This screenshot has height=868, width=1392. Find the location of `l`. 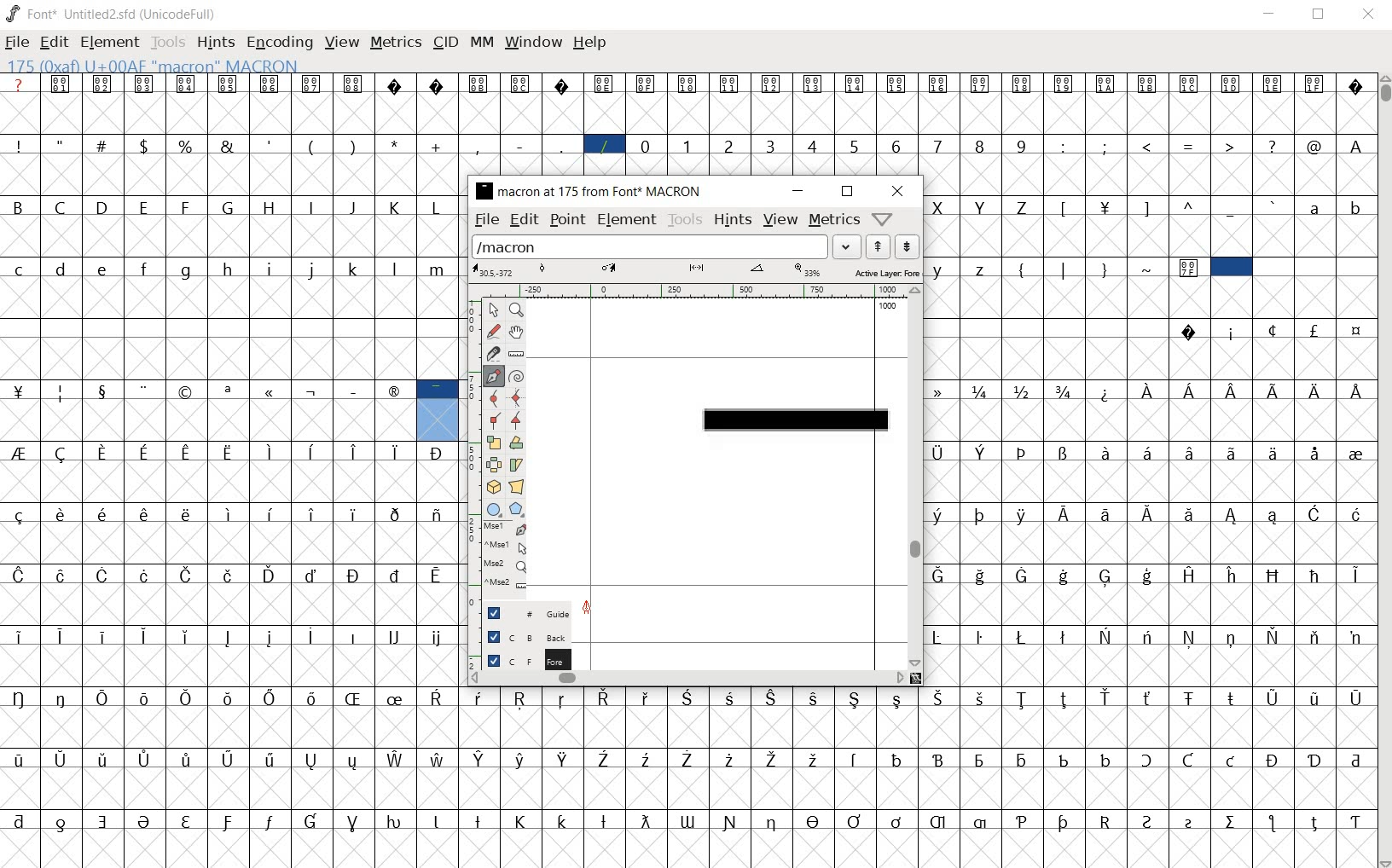

l is located at coordinates (397, 267).